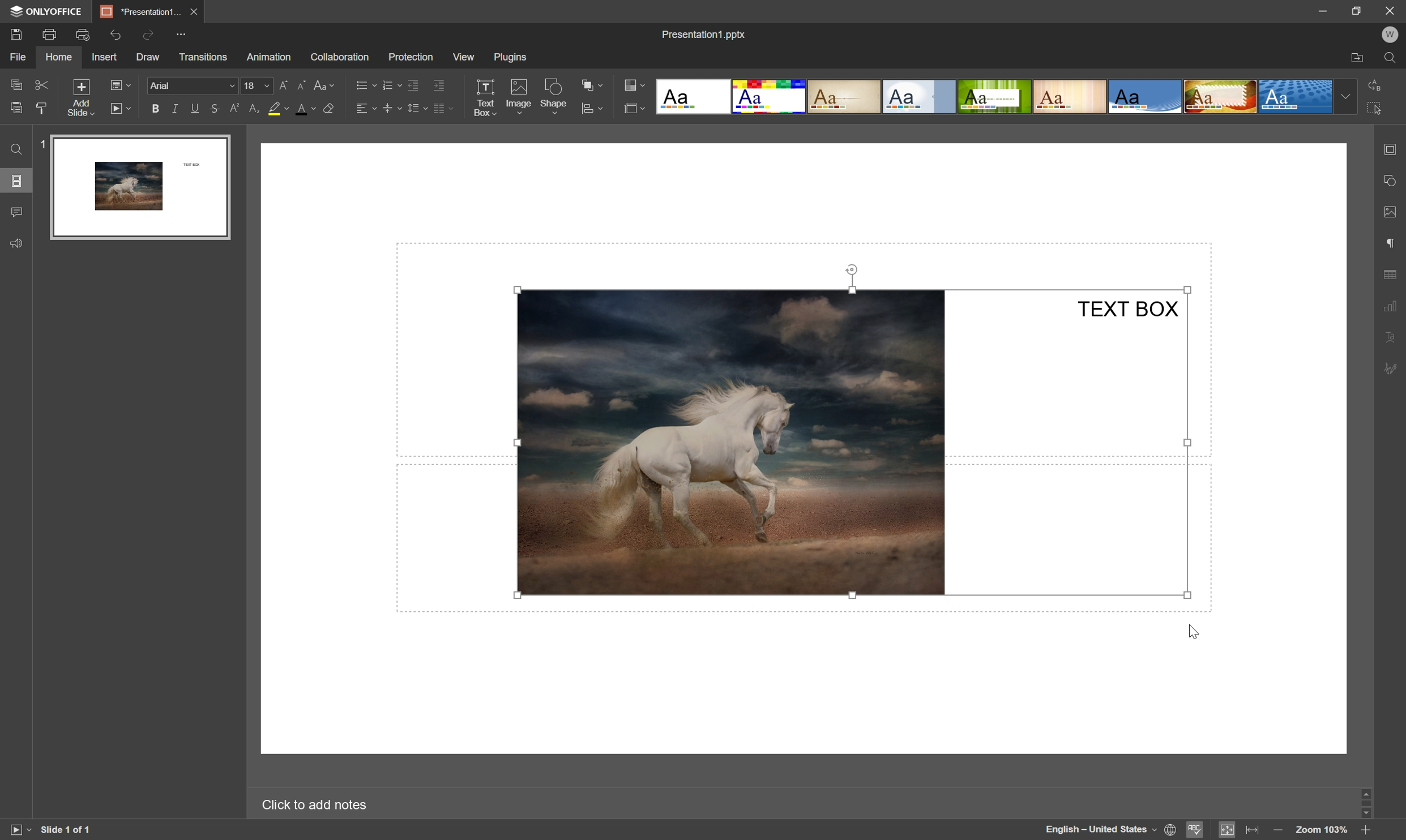  I want to click on clear style, so click(331, 109).